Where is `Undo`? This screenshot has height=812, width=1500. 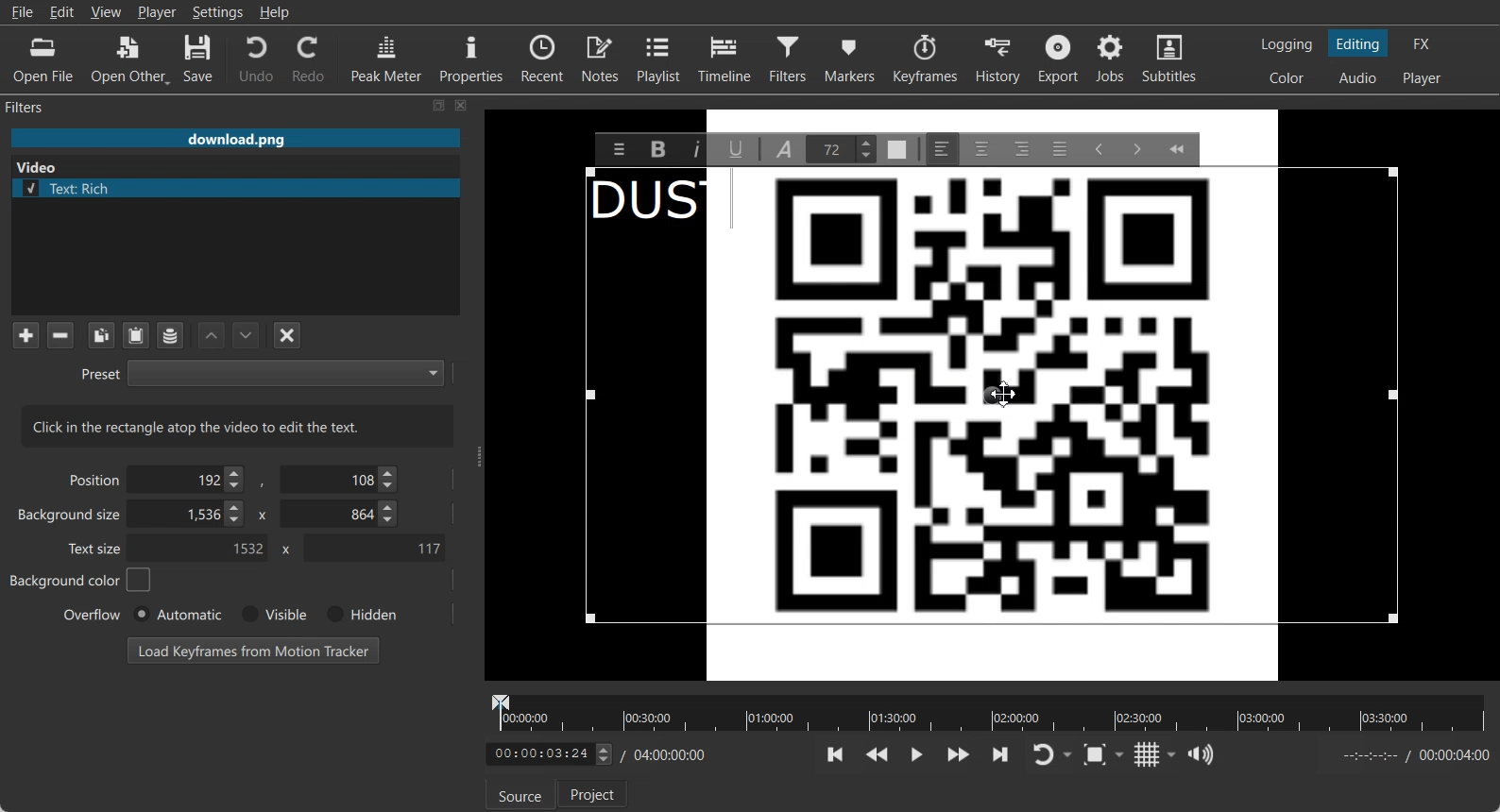 Undo is located at coordinates (256, 58).